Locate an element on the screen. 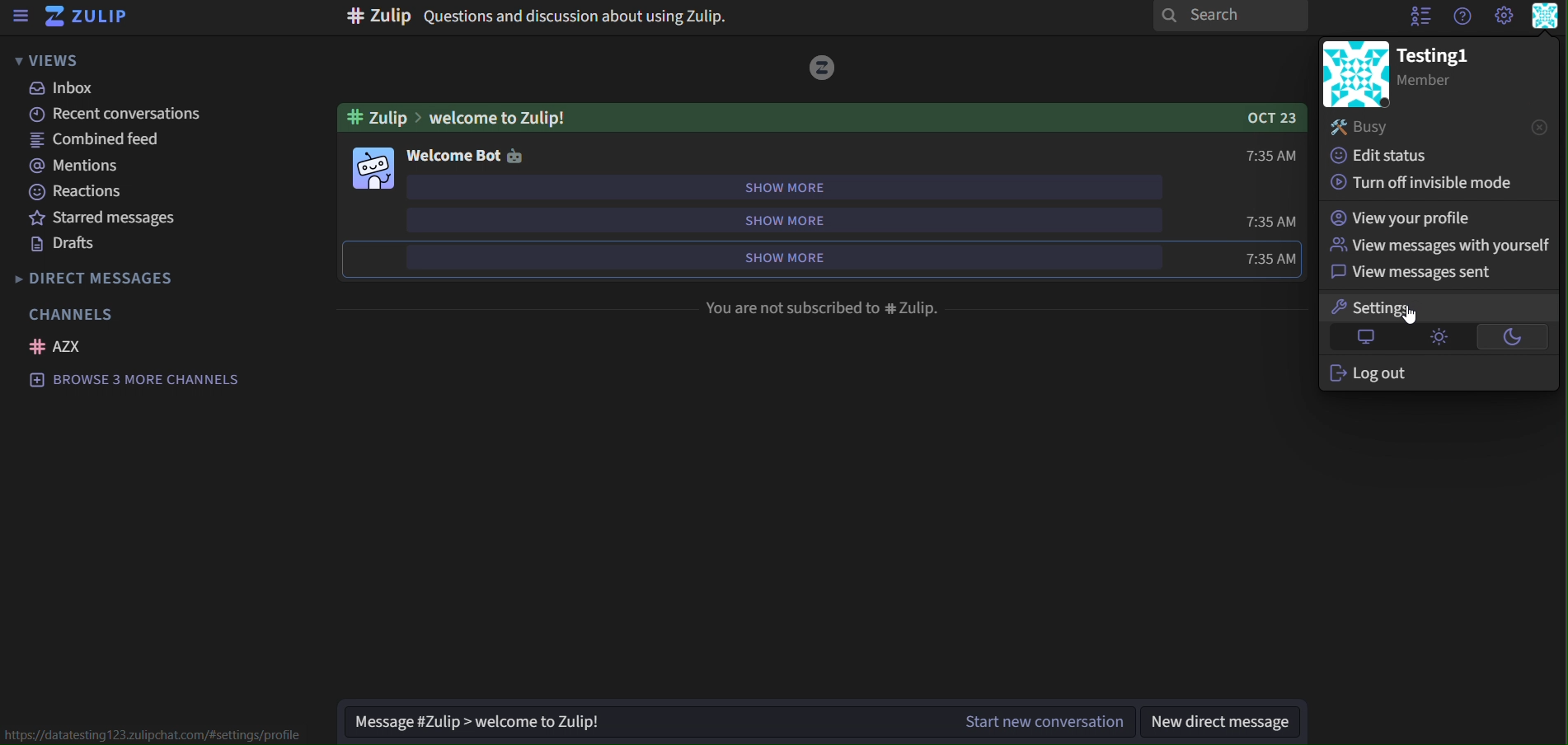  reactions is located at coordinates (89, 192).